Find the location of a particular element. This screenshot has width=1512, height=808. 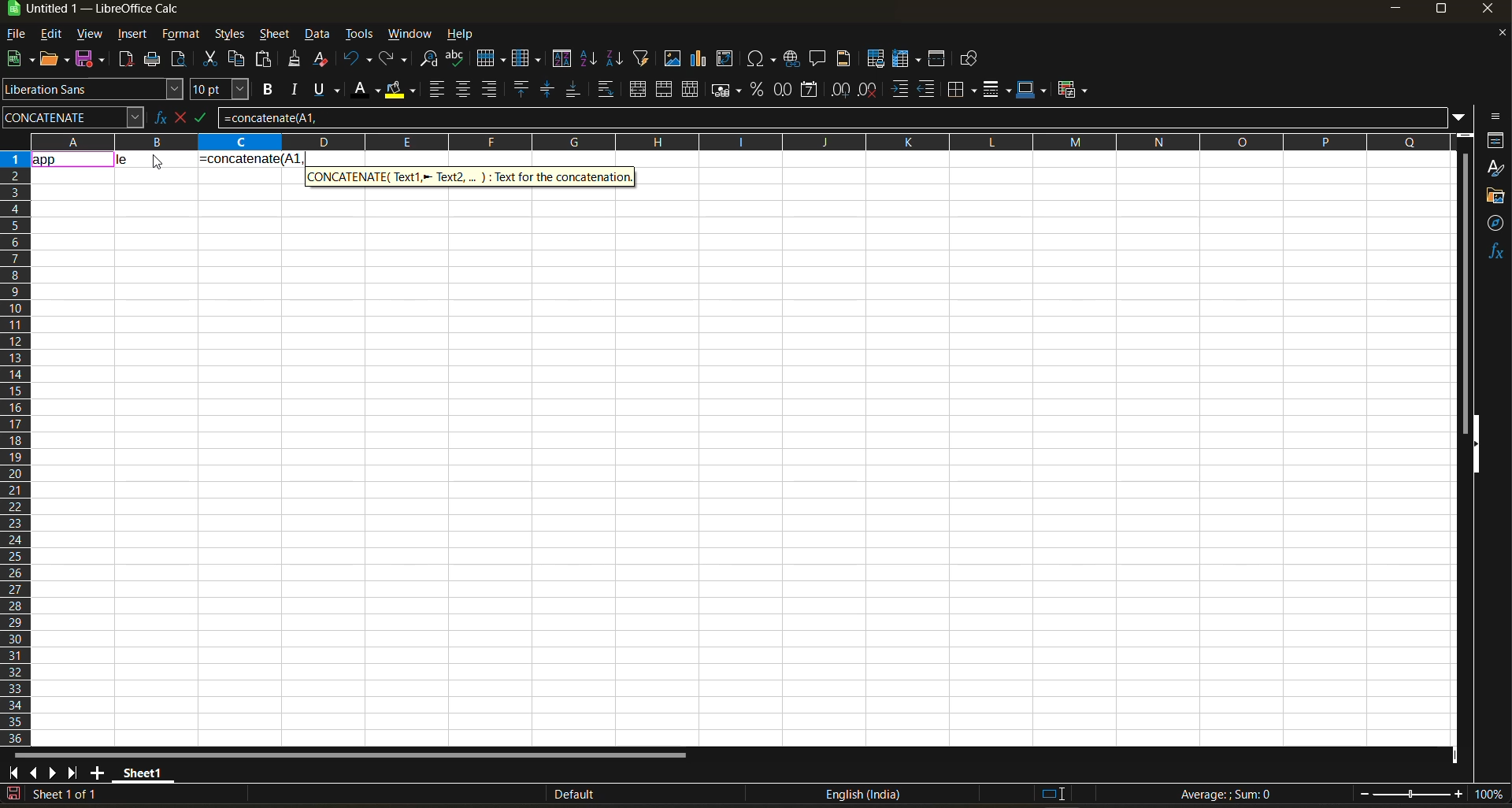

add sheet is located at coordinates (97, 773).